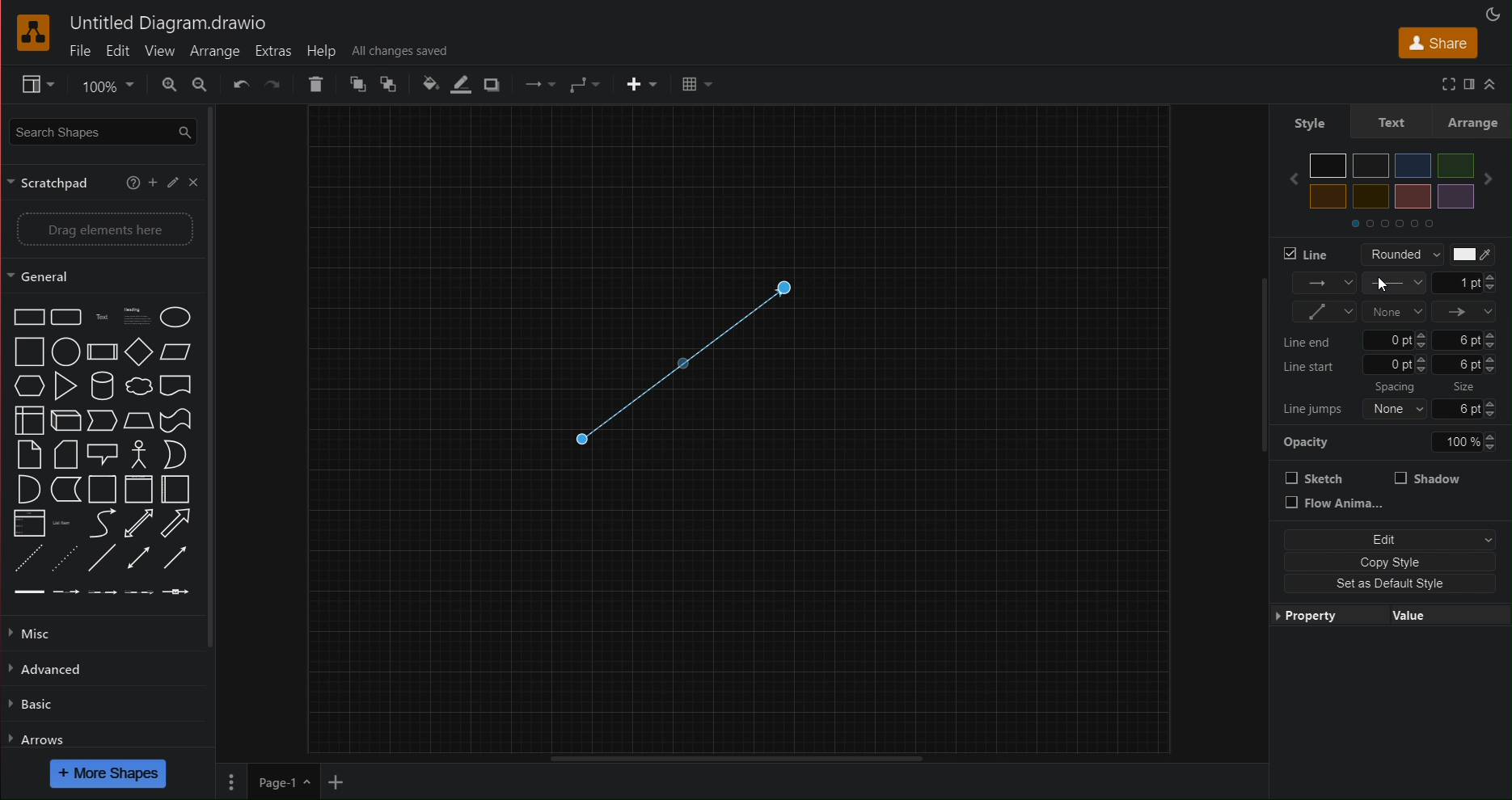 The image size is (1512, 800). I want to click on Line end size, so click(1394, 339).